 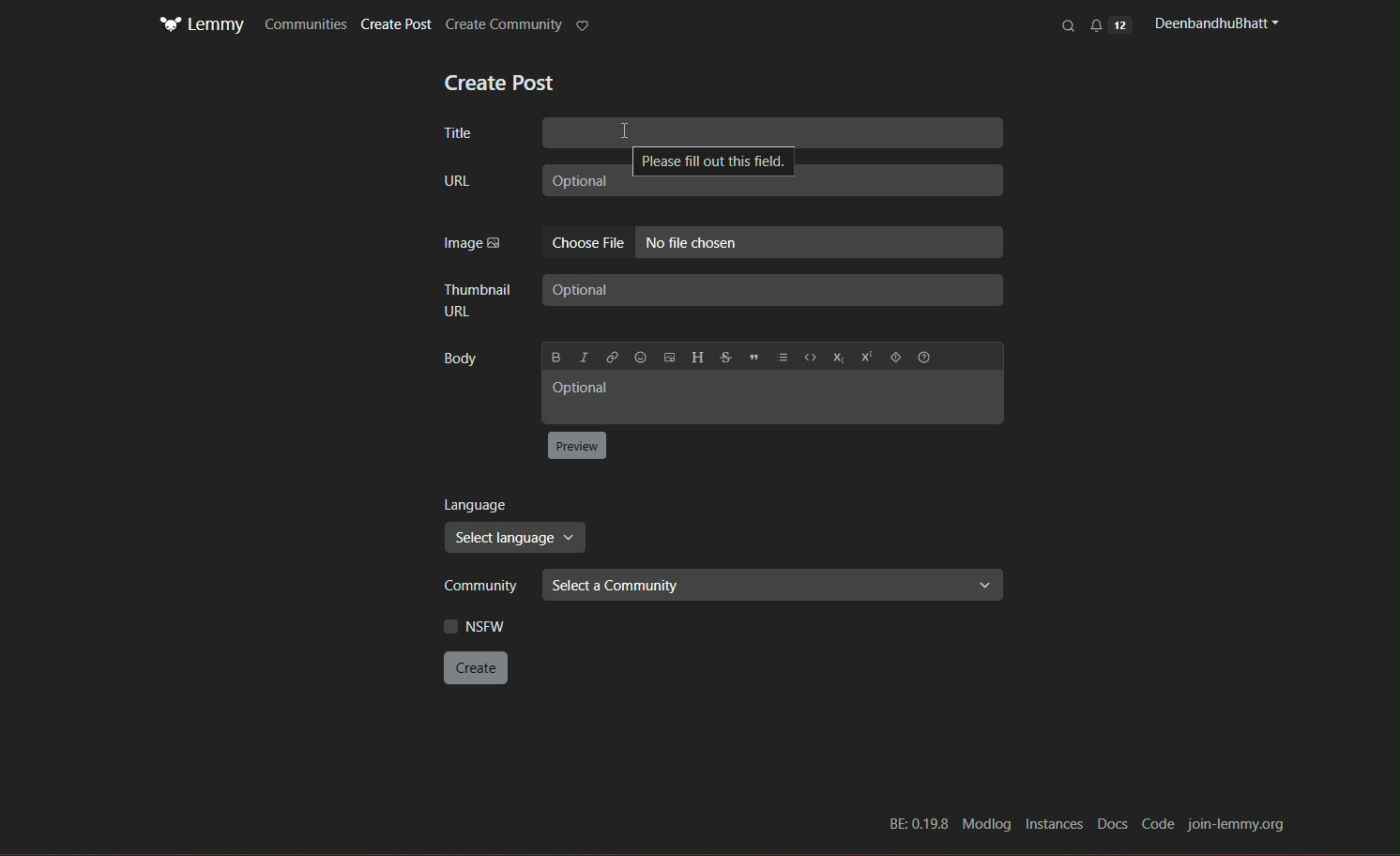 What do you see at coordinates (751, 357) in the screenshot?
I see `Quote` at bounding box center [751, 357].